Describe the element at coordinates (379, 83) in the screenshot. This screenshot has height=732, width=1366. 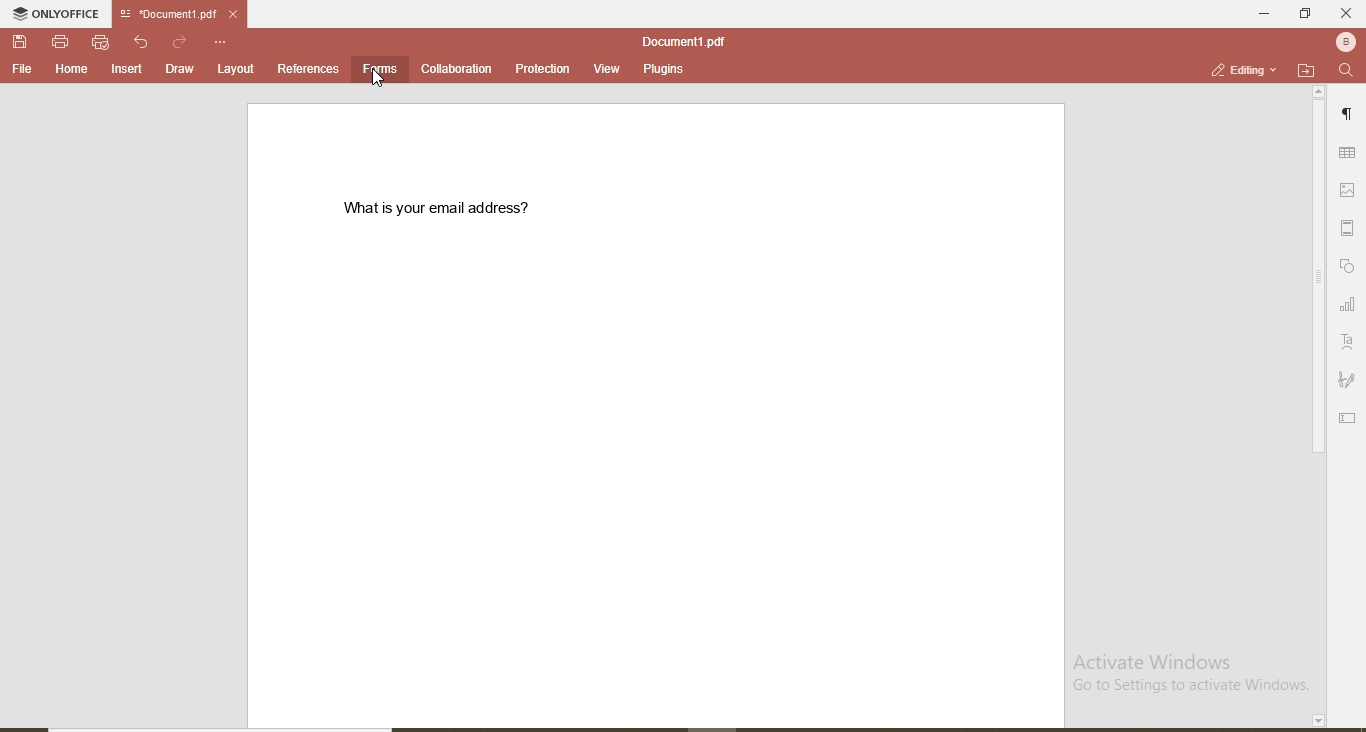
I see `cursor` at that location.